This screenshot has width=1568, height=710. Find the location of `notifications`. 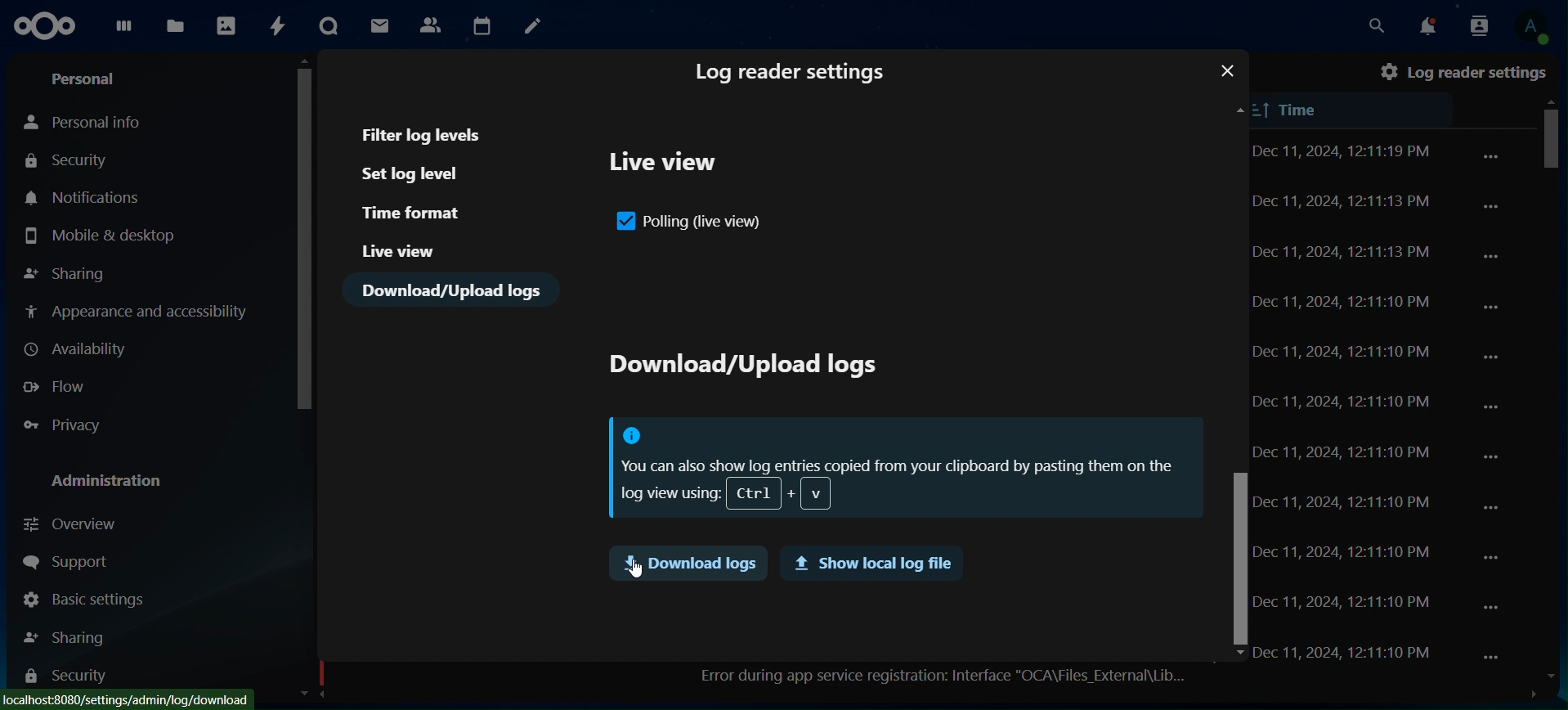

notifications is located at coordinates (1421, 25).